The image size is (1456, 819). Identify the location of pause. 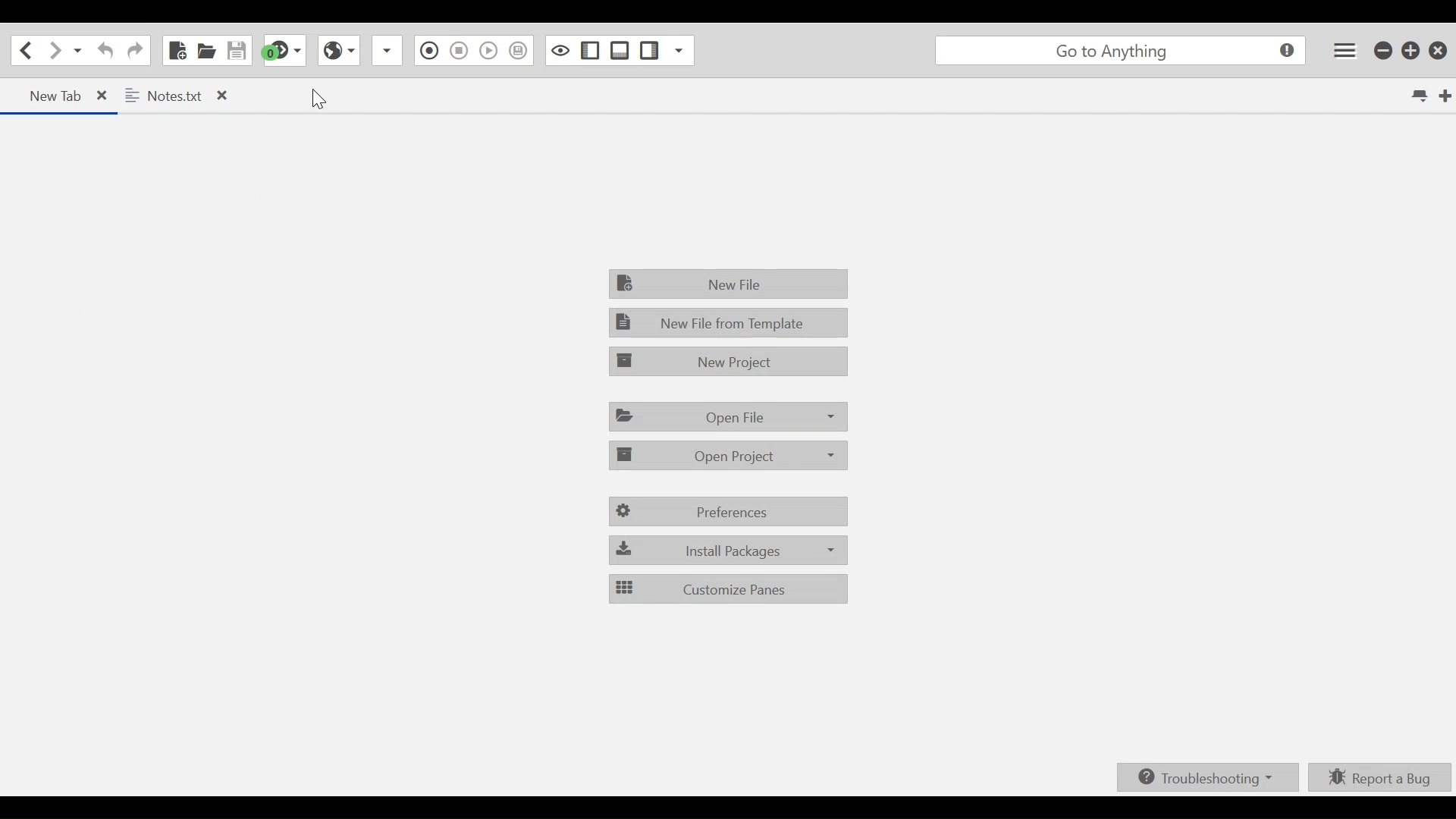
(428, 47).